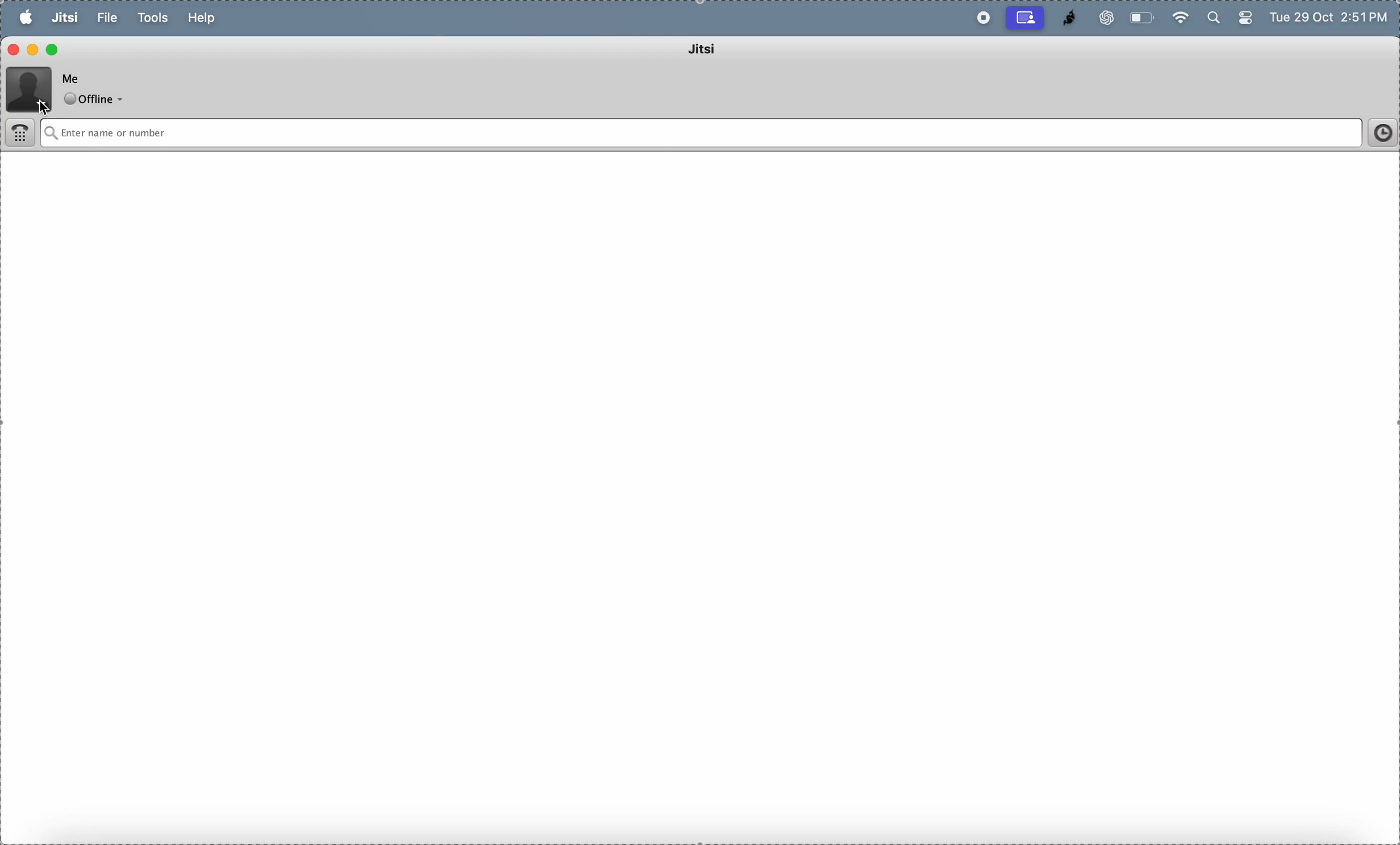 This screenshot has width=1400, height=845. What do you see at coordinates (718, 51) in the screenshot?
I see `jitsi ` at bounding box center [718, 51].